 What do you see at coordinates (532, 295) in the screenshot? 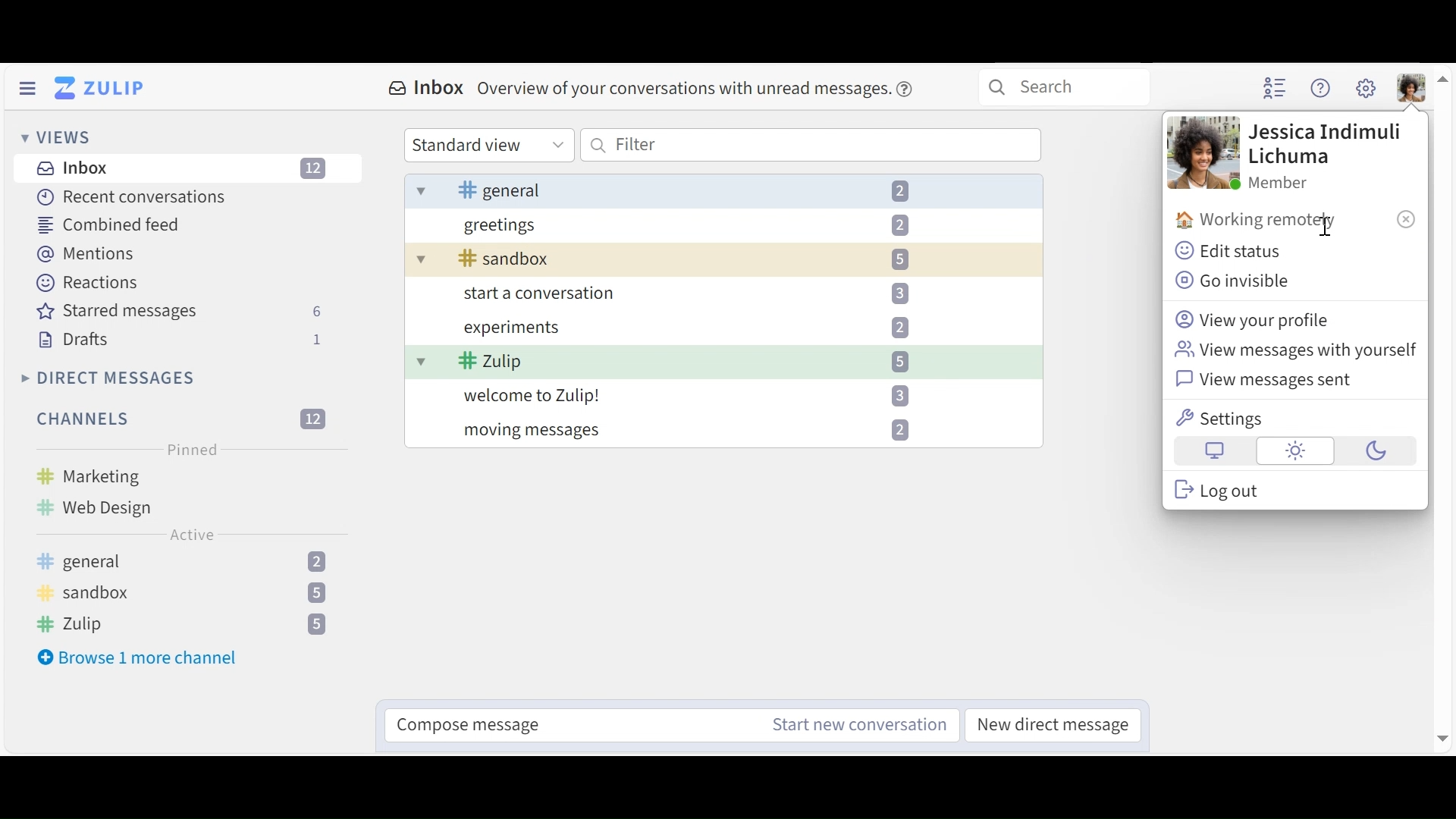
I see `start a conversation` at bounding box center [532, 295].